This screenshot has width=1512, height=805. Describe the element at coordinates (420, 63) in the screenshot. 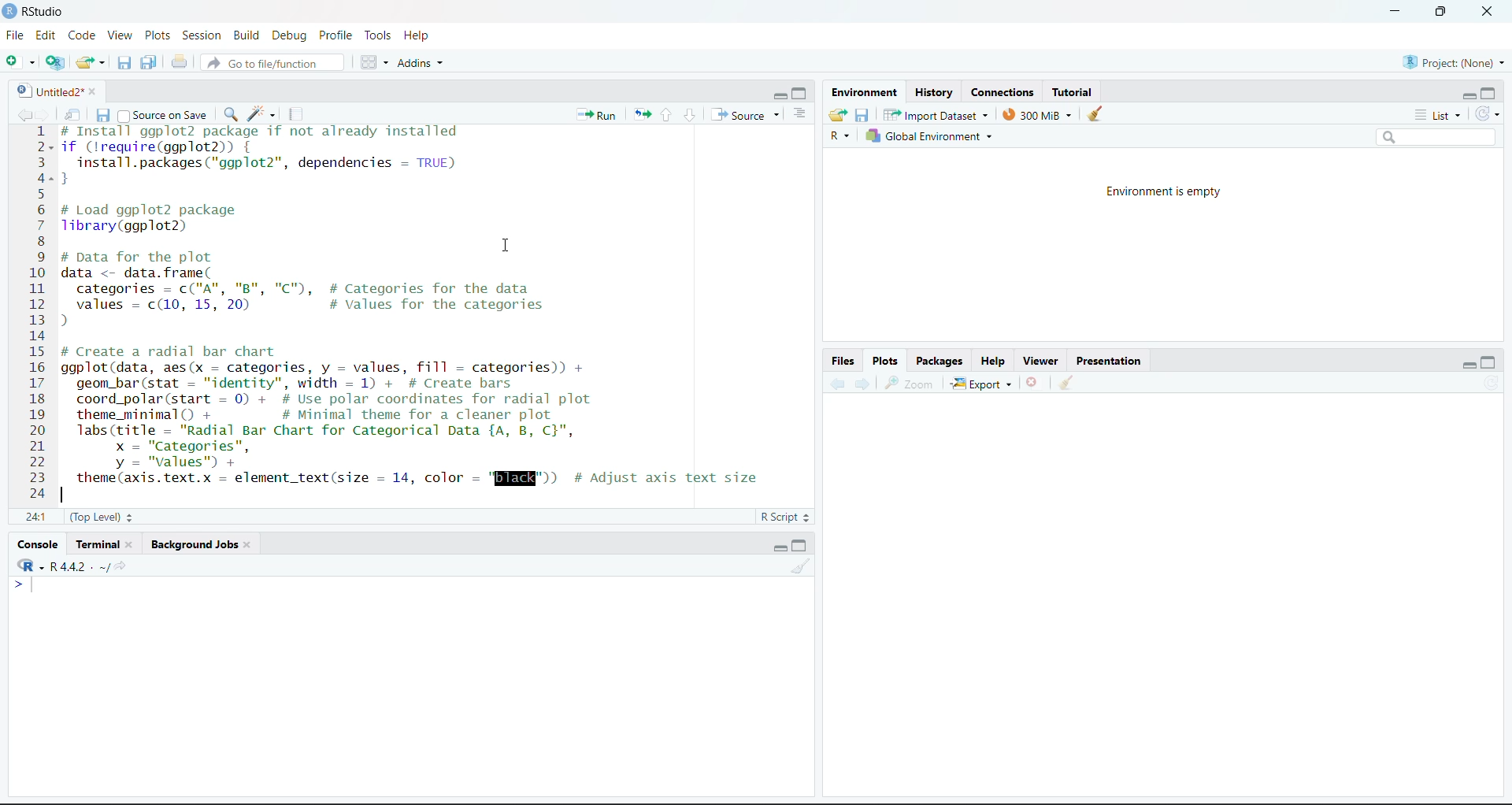

I see ` Addins ` at that location.